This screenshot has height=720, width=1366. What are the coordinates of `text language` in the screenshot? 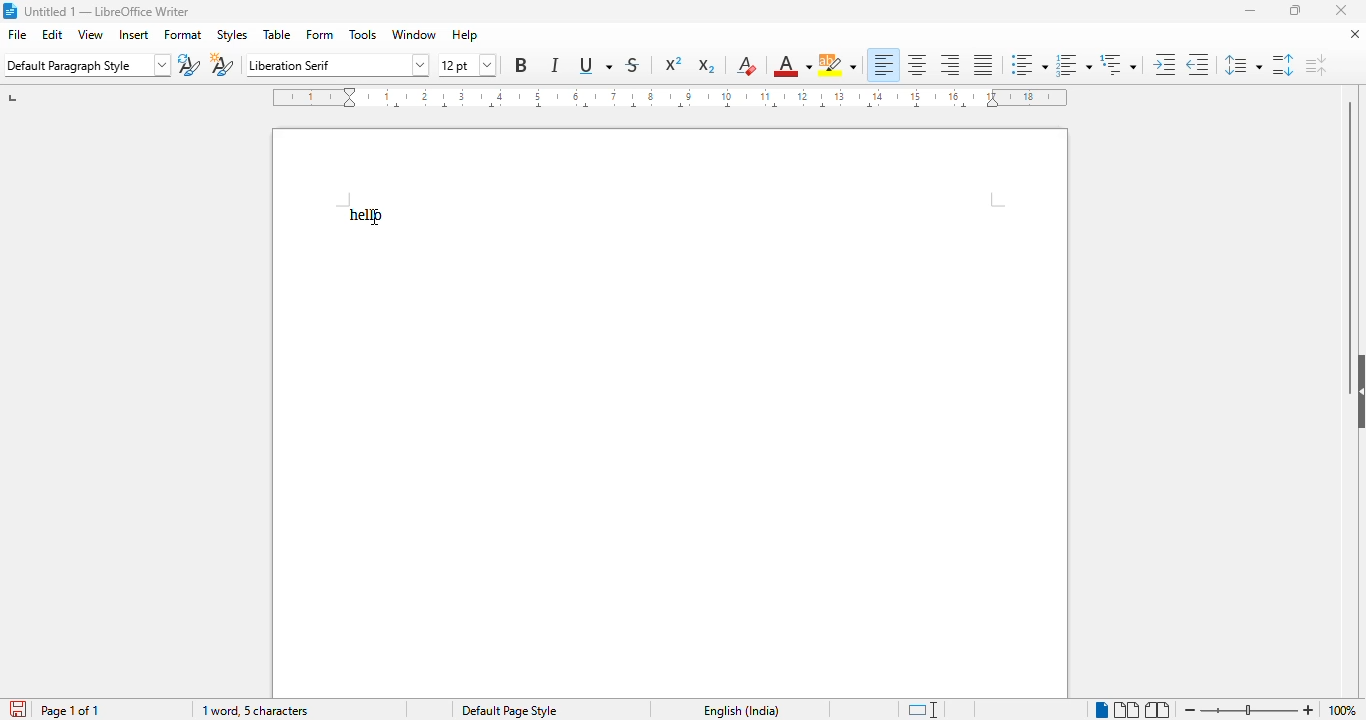 It's located at (742, 711).